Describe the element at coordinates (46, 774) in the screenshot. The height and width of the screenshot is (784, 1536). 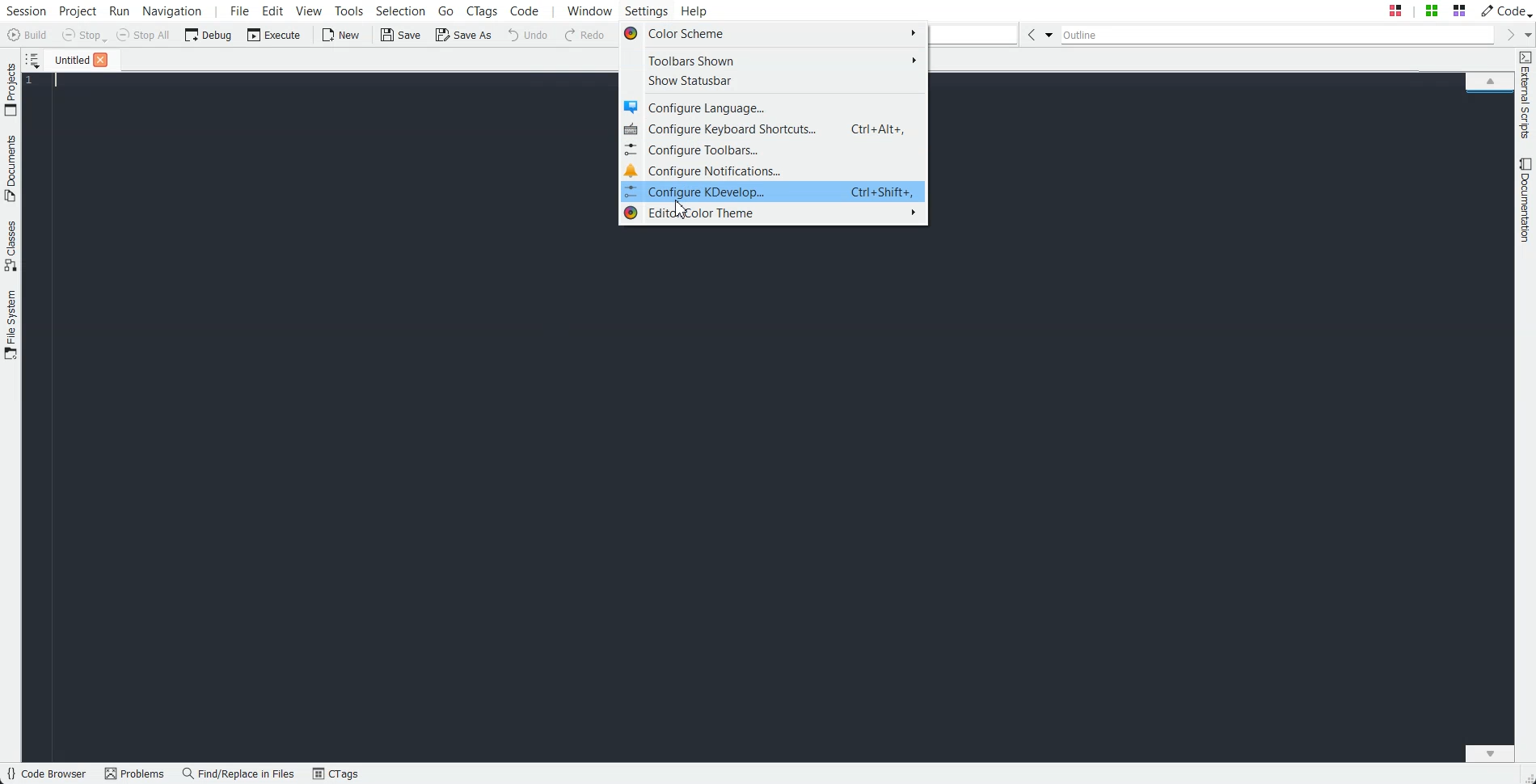
I see `Code Browser` at that location.